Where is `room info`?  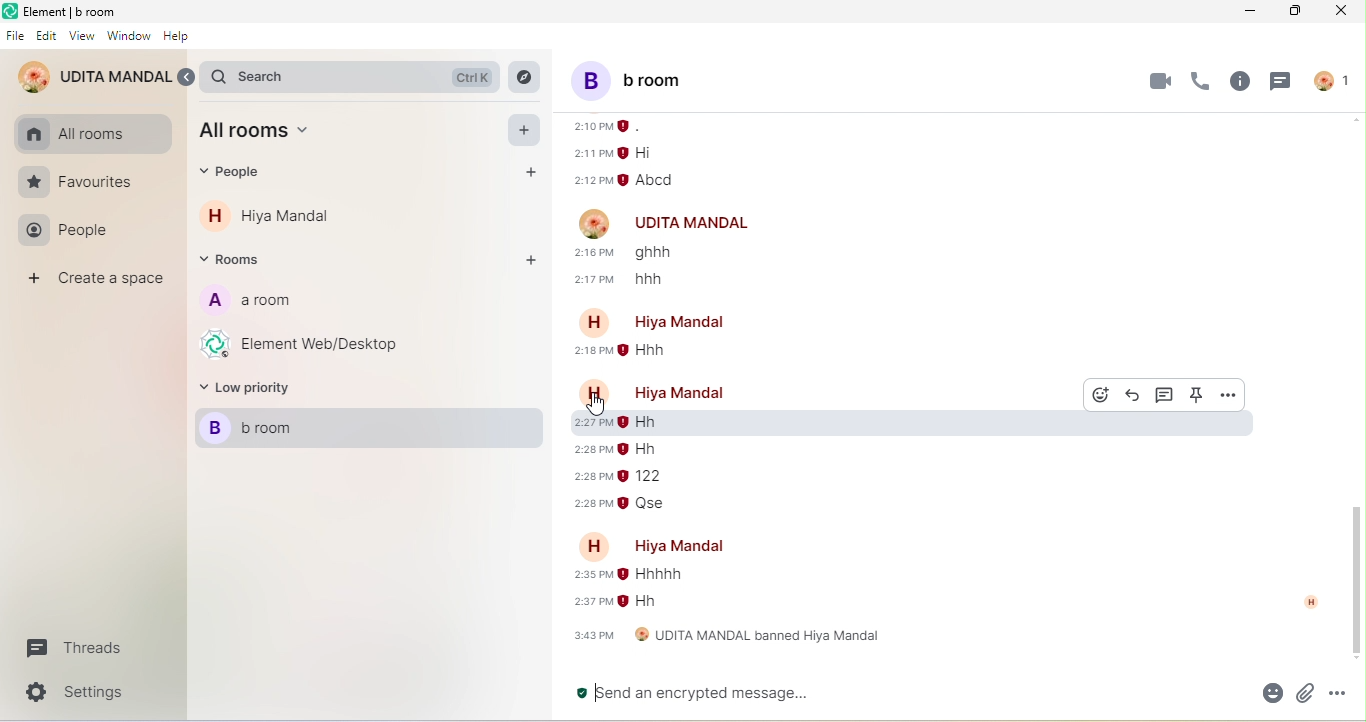
room info is located at coordinates (1240, 81).